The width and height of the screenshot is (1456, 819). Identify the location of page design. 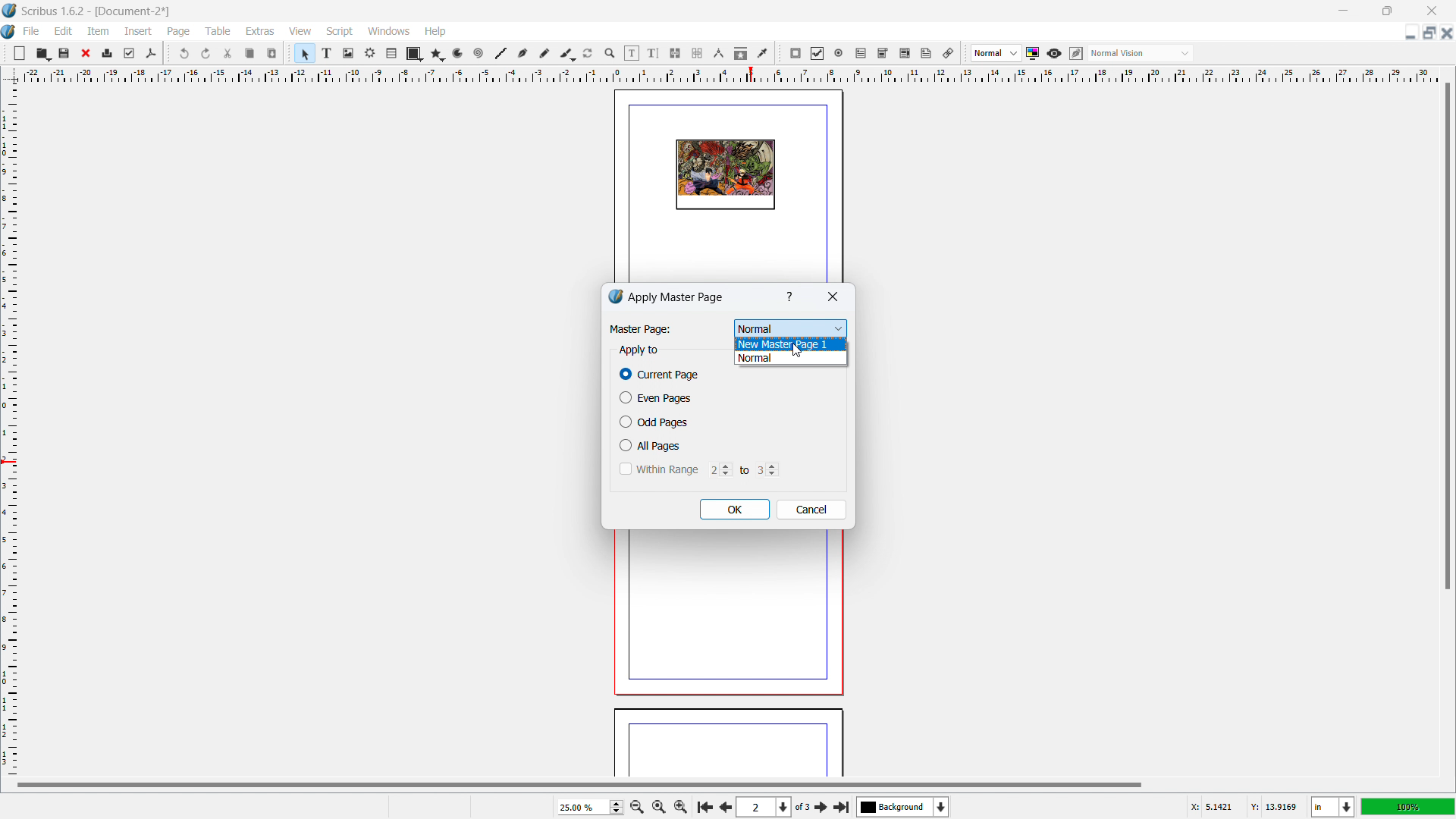
(725, 175).